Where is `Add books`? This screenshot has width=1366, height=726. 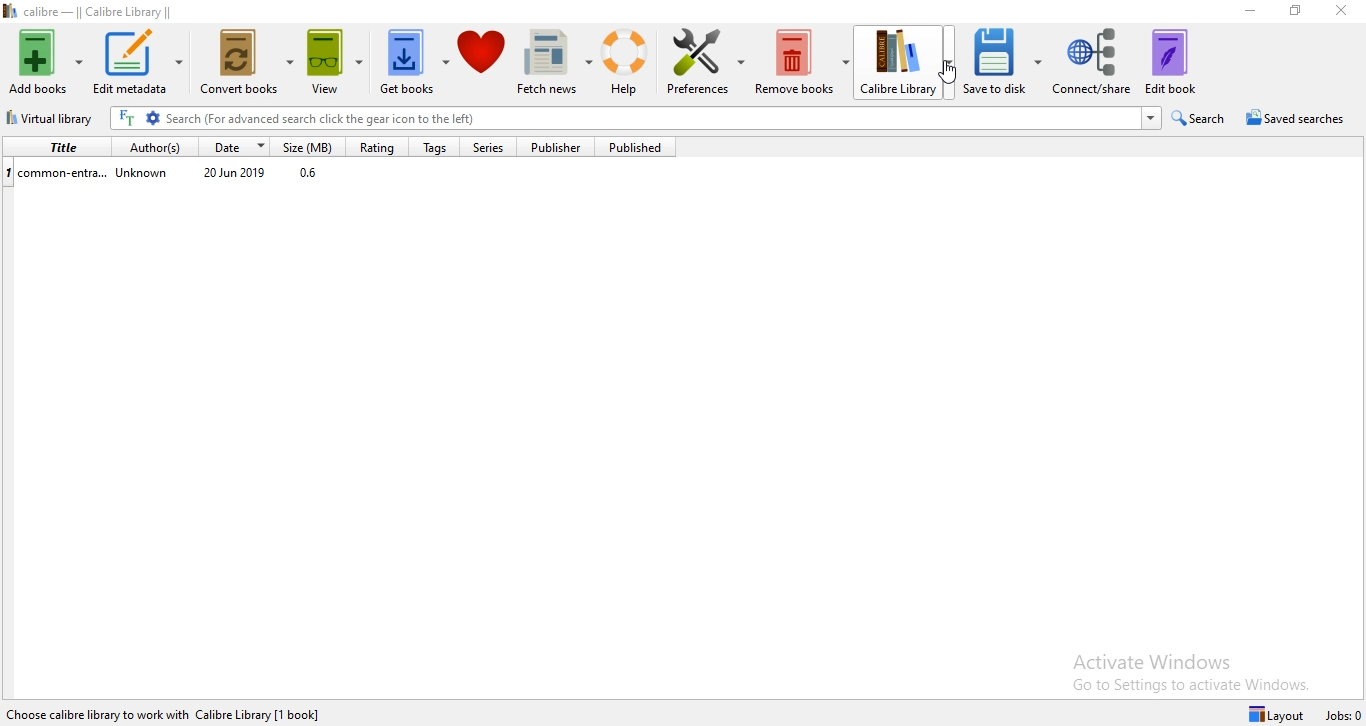 Add books is located at coordinates (44, 59).